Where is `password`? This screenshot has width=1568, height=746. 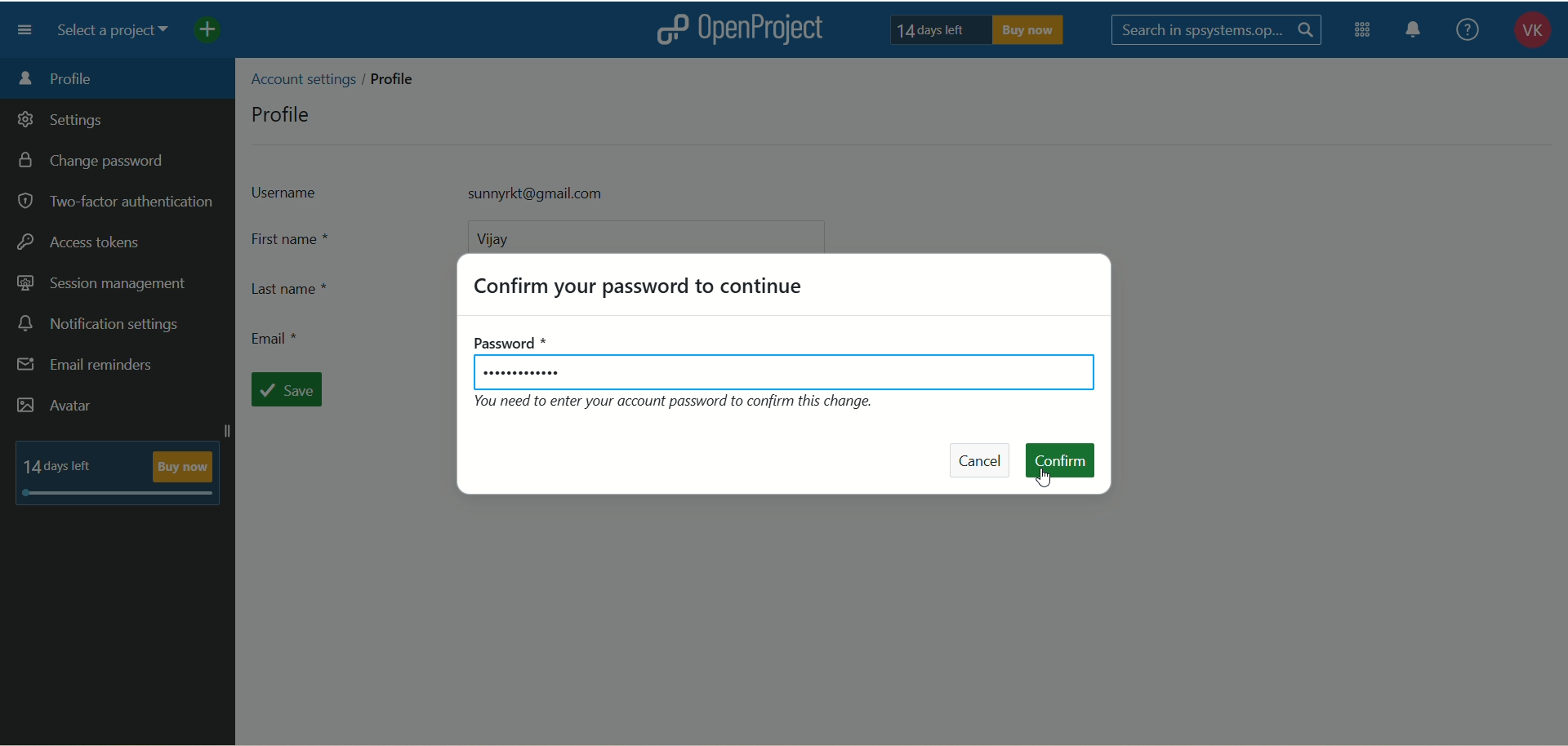 password is located at coordinates (788, 372).